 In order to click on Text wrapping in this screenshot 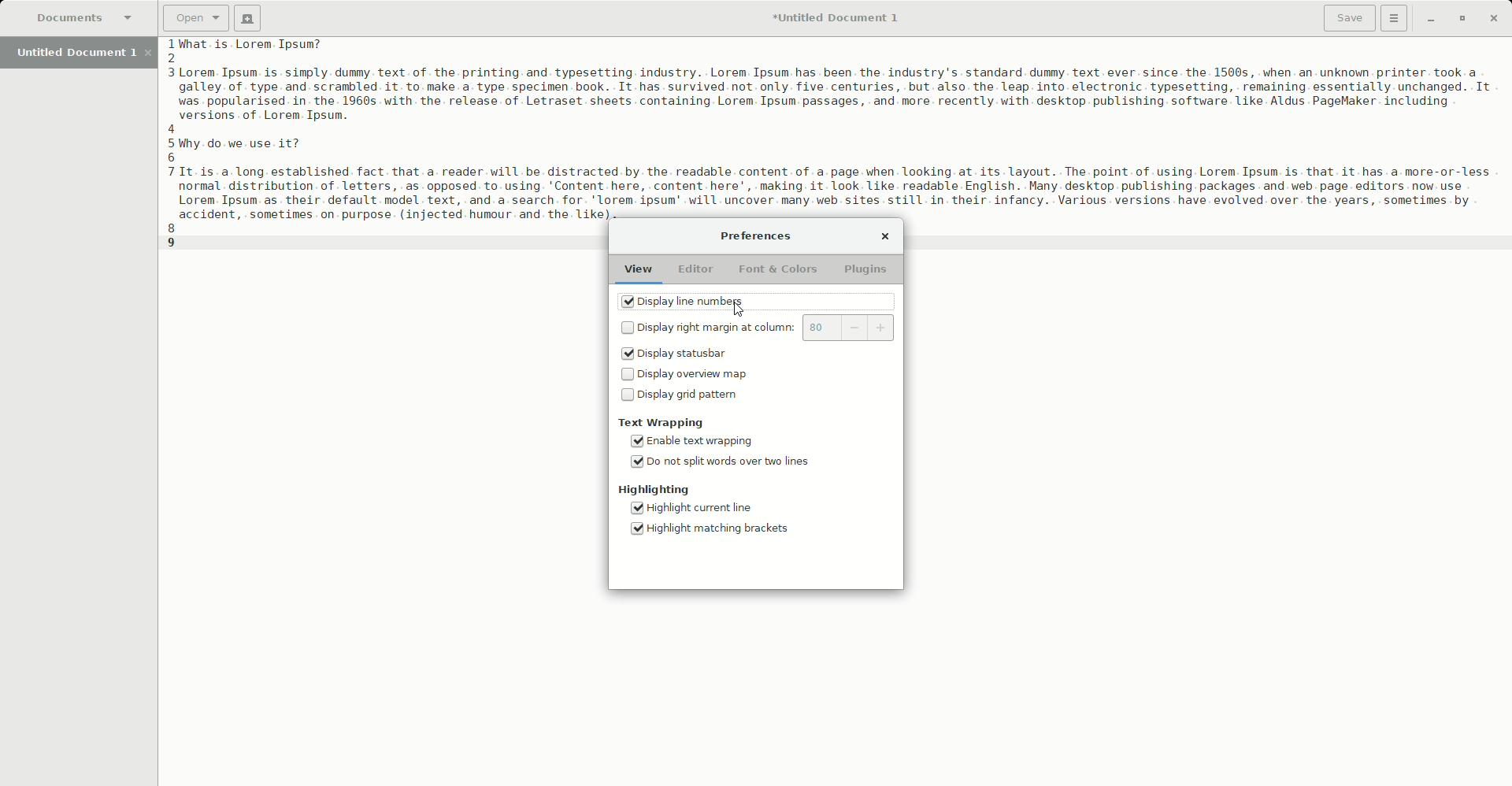, I will do `click(664, 424)`.